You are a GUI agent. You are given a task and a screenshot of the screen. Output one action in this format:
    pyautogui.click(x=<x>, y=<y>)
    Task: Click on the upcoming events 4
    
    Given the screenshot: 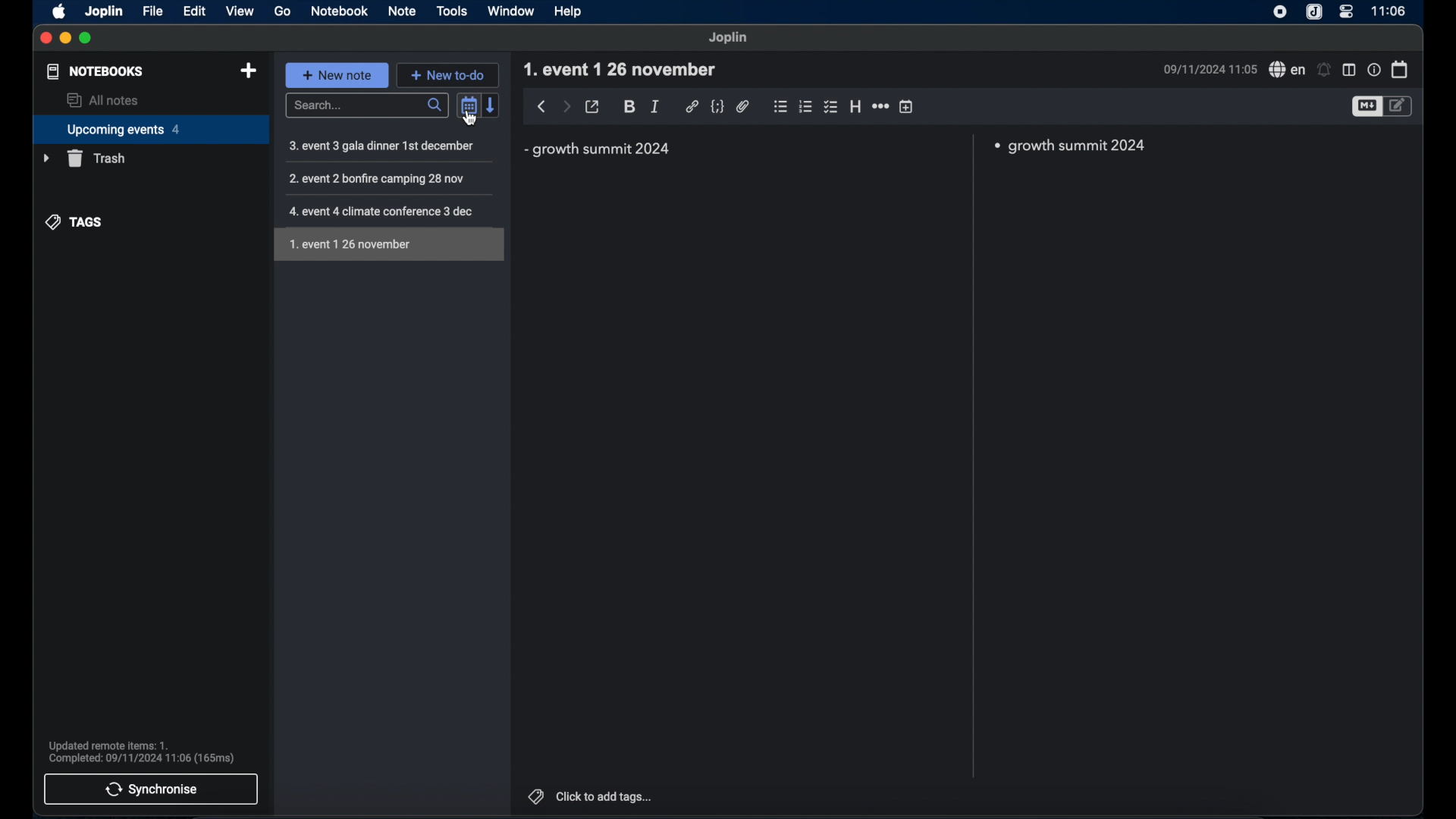 What is the action you would take?
    pyautogui.click(x=146, y=129)
    